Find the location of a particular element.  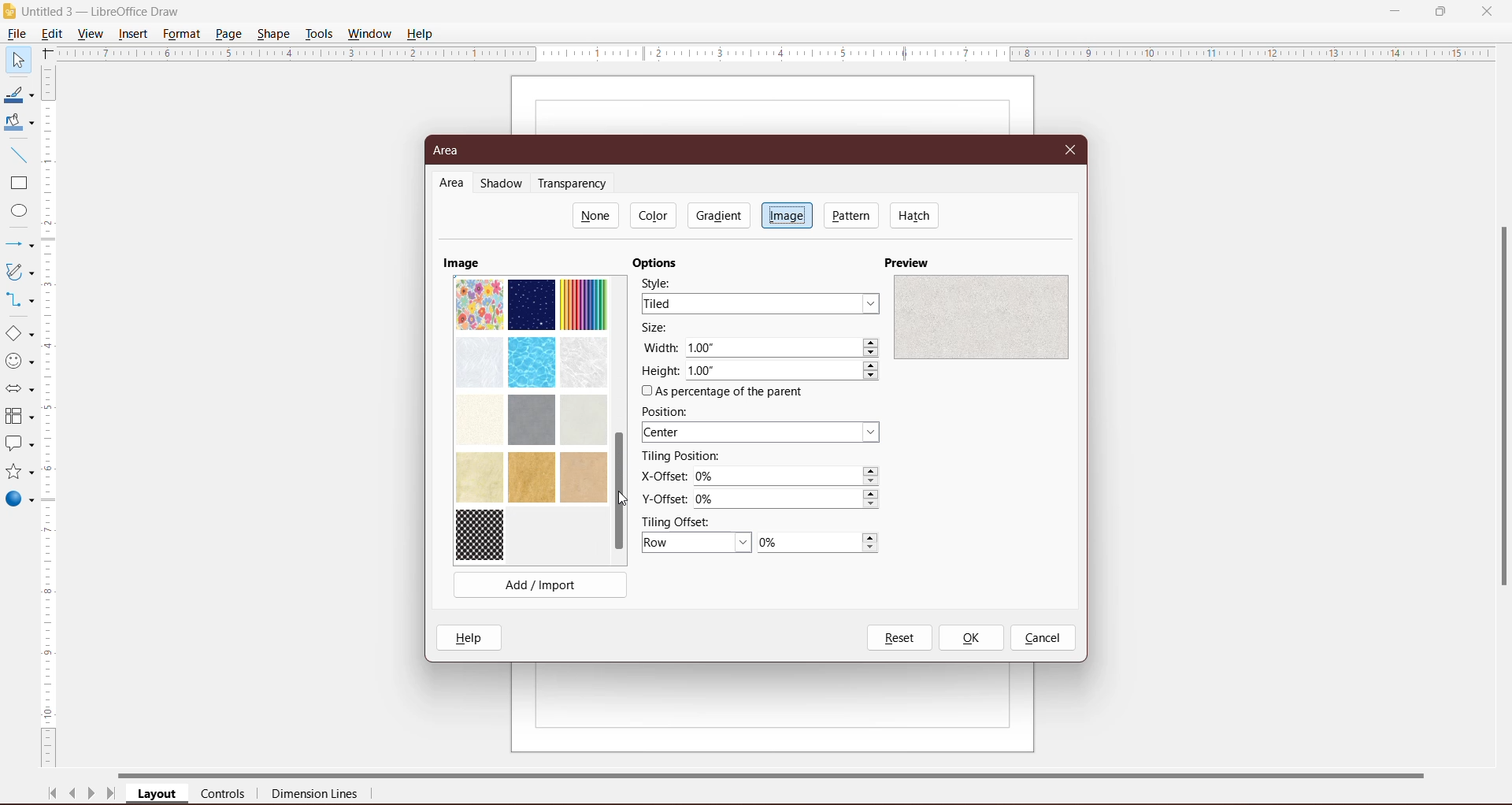

Controls is located at coordinates (228, 795).